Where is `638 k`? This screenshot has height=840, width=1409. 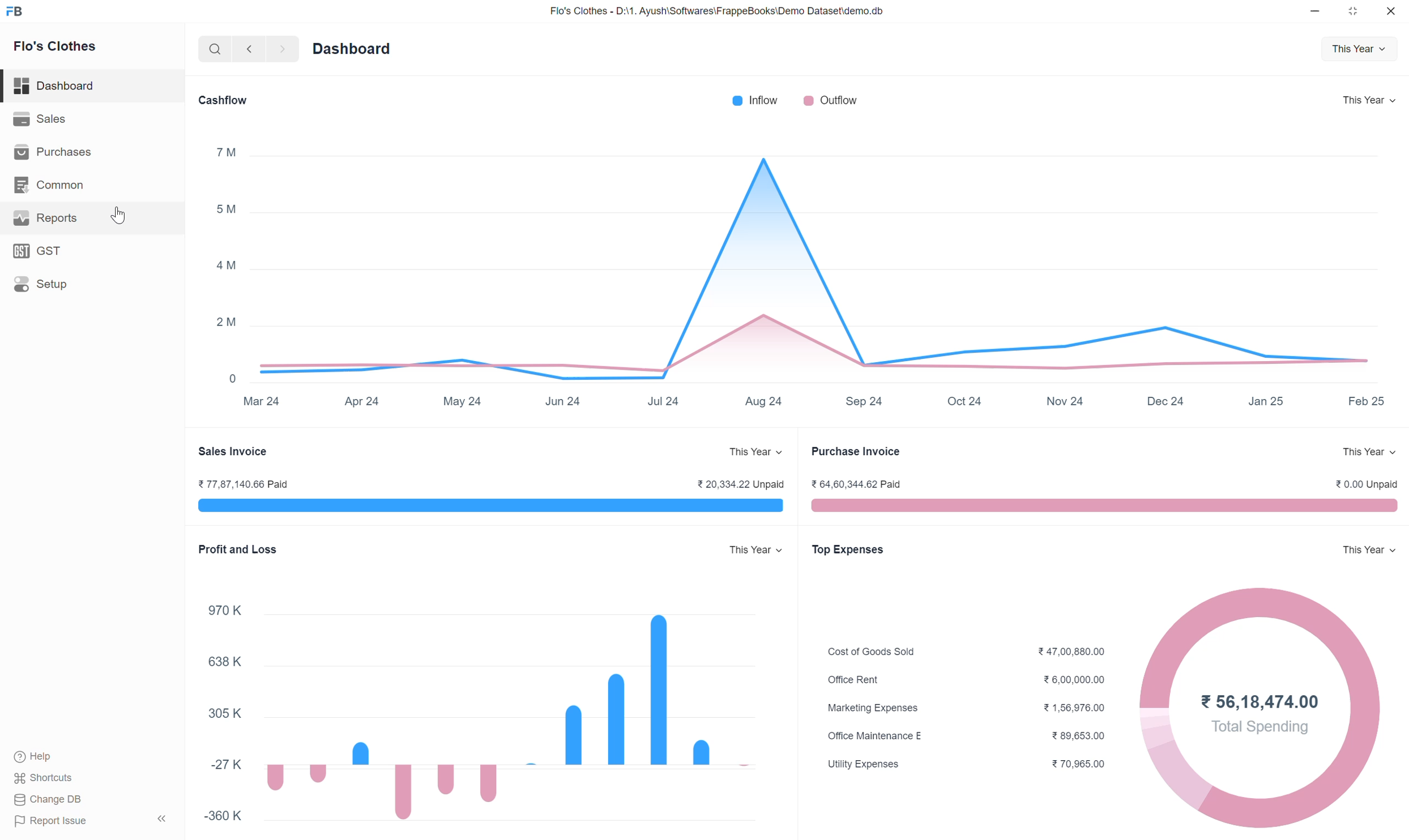 638 k is located at coordinates (225, 662).